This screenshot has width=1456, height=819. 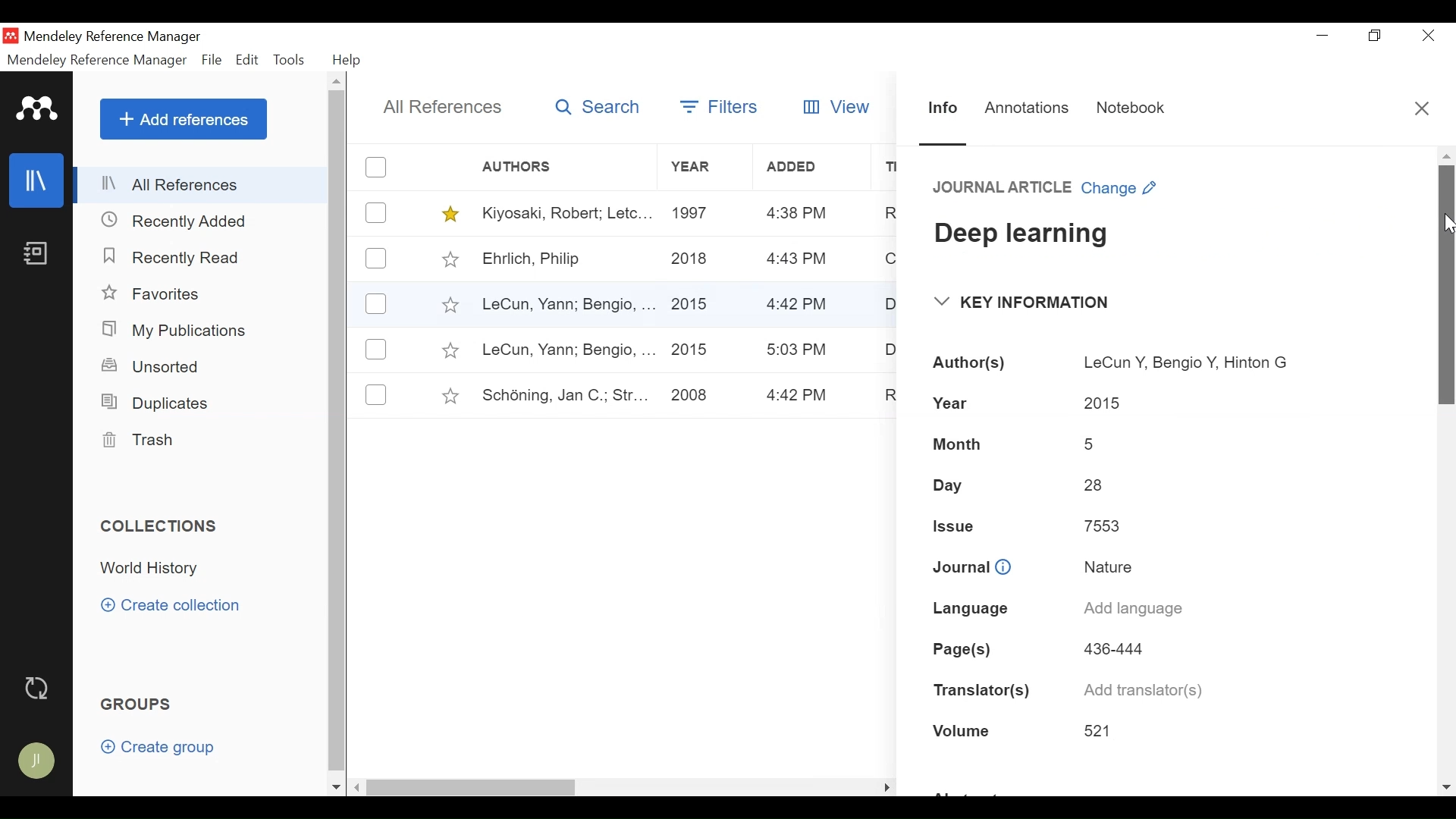 I want to click on Translator(s), so click(x=981, y=688).